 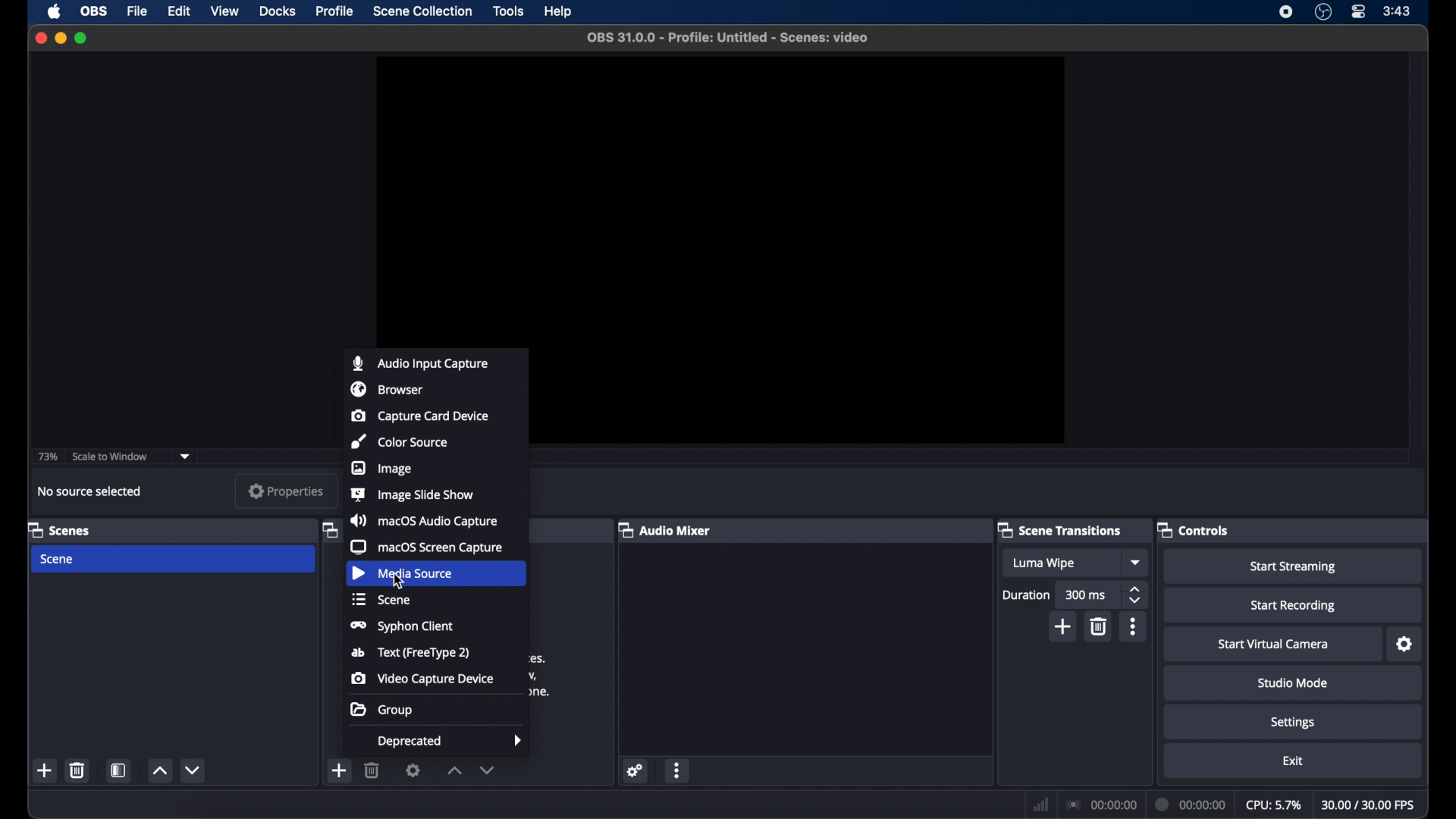 I want to click on docks, so click(x=278, y=11).